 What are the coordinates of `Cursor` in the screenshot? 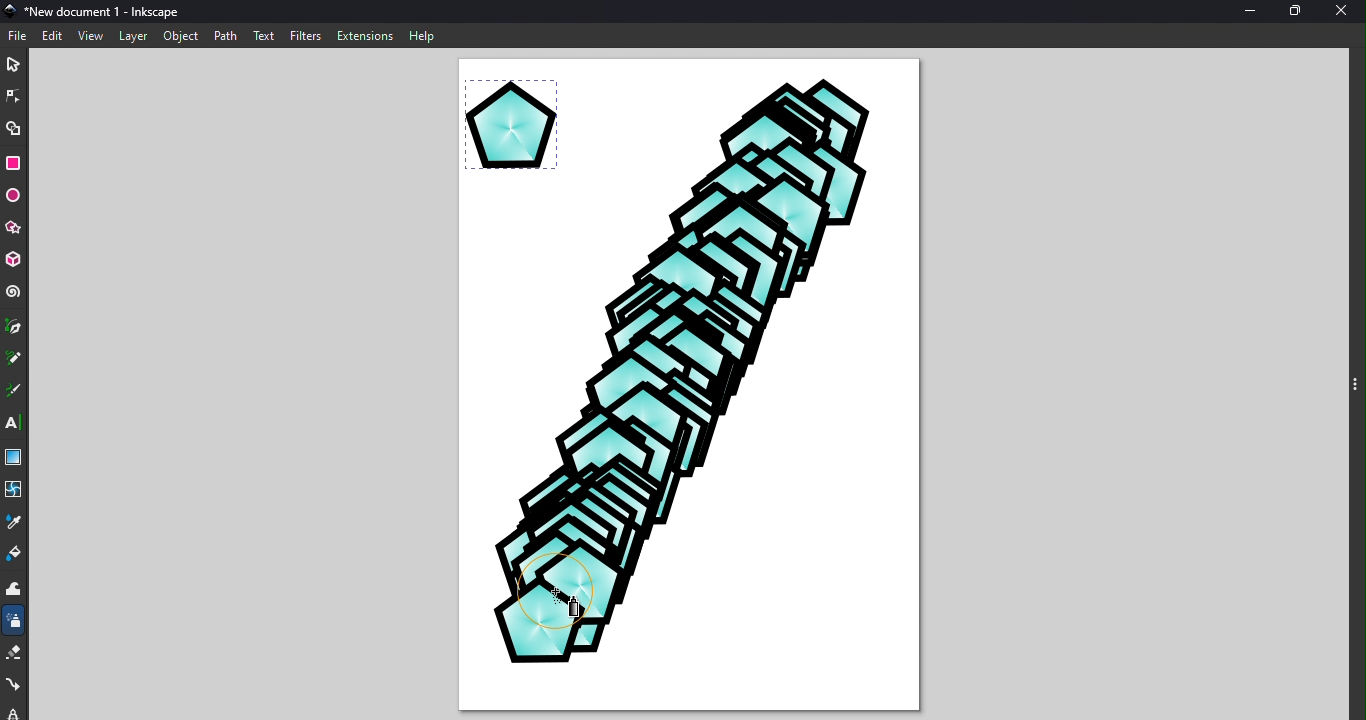 It's located at (570, 610).